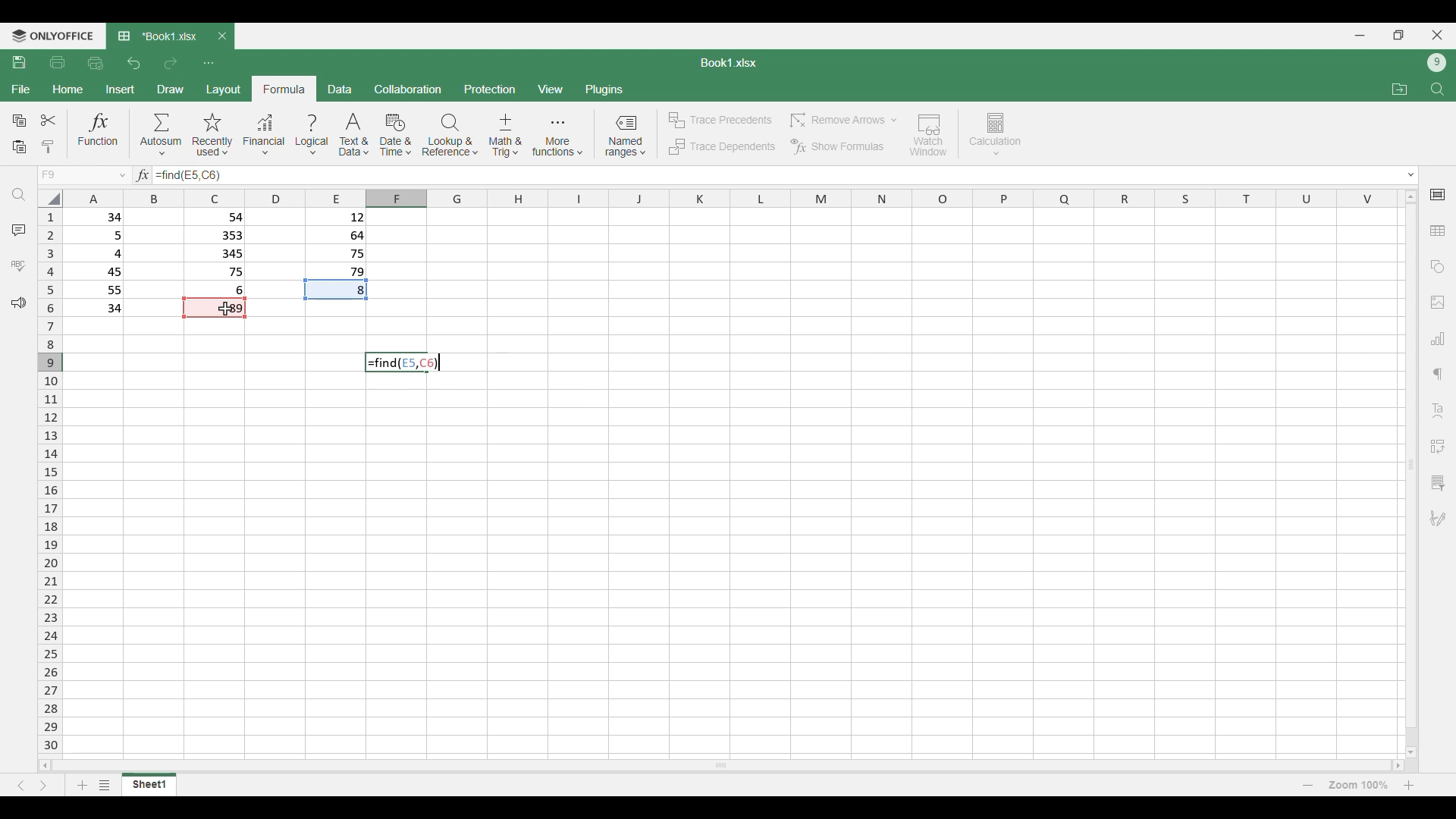 The width and height of the screenshot is (1456, 819). I want to click on Insert shapes, so click(1438, 267).